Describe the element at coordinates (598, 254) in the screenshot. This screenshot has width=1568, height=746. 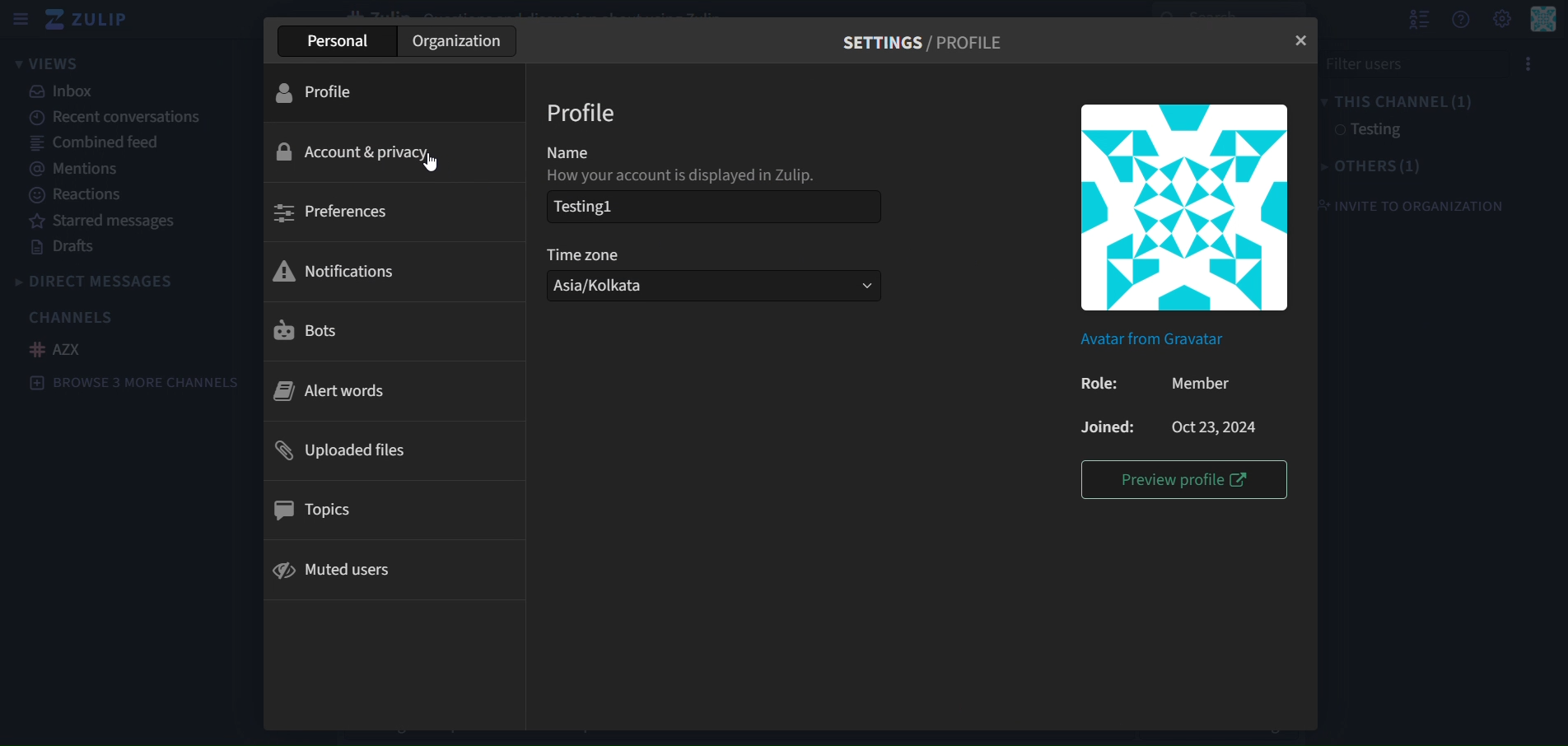
I see `time zone` at that location.